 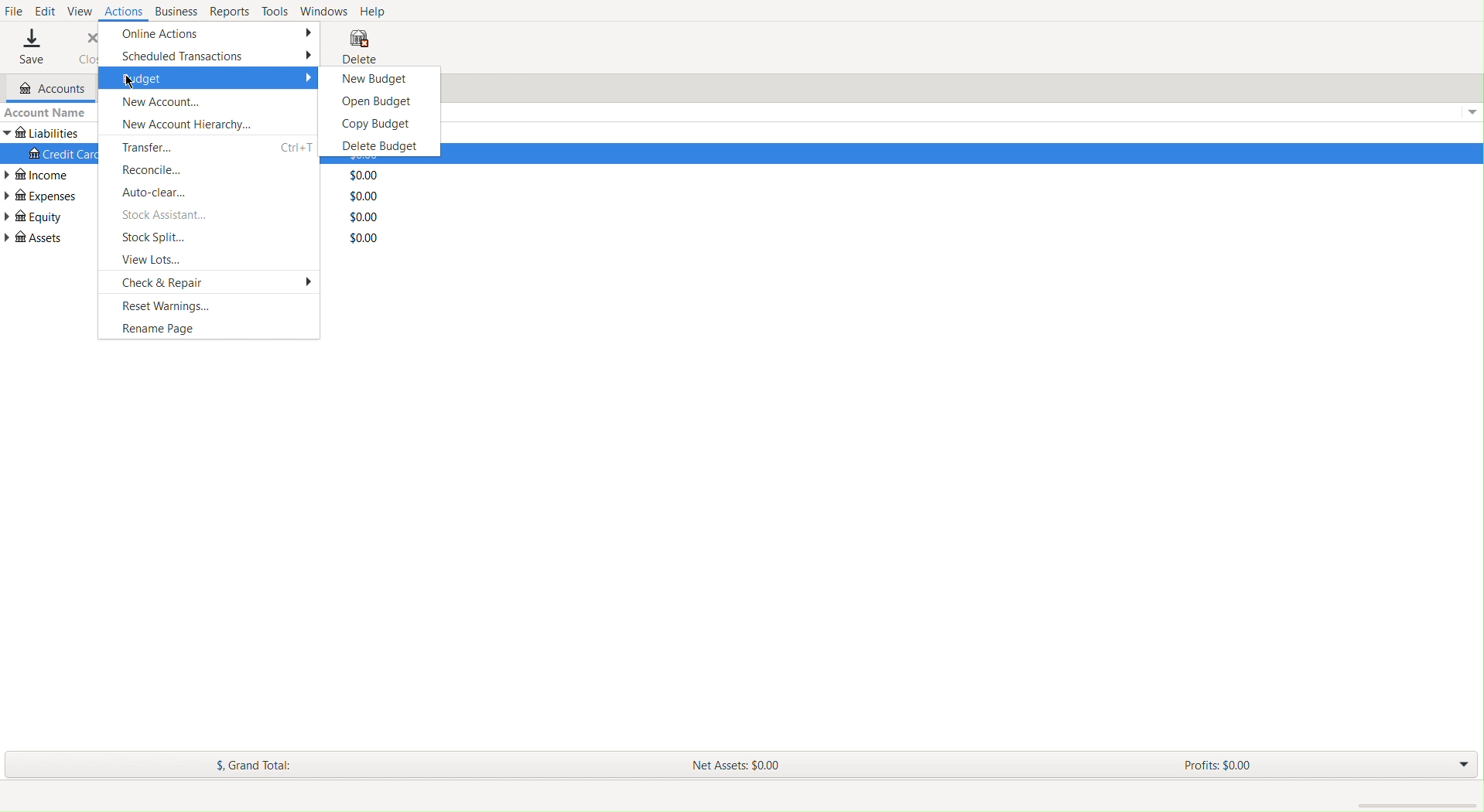 I want to click on Business, so click(x=174, y=12).